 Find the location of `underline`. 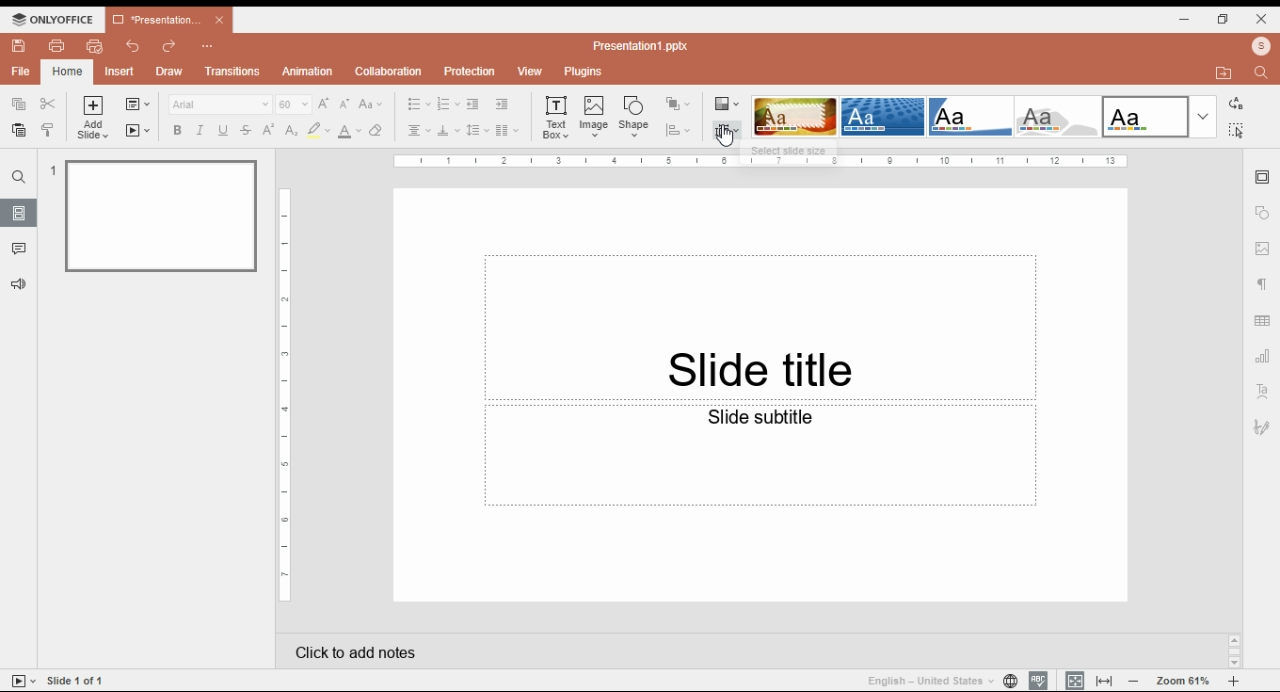

underline is located at coordinates (222, 130).